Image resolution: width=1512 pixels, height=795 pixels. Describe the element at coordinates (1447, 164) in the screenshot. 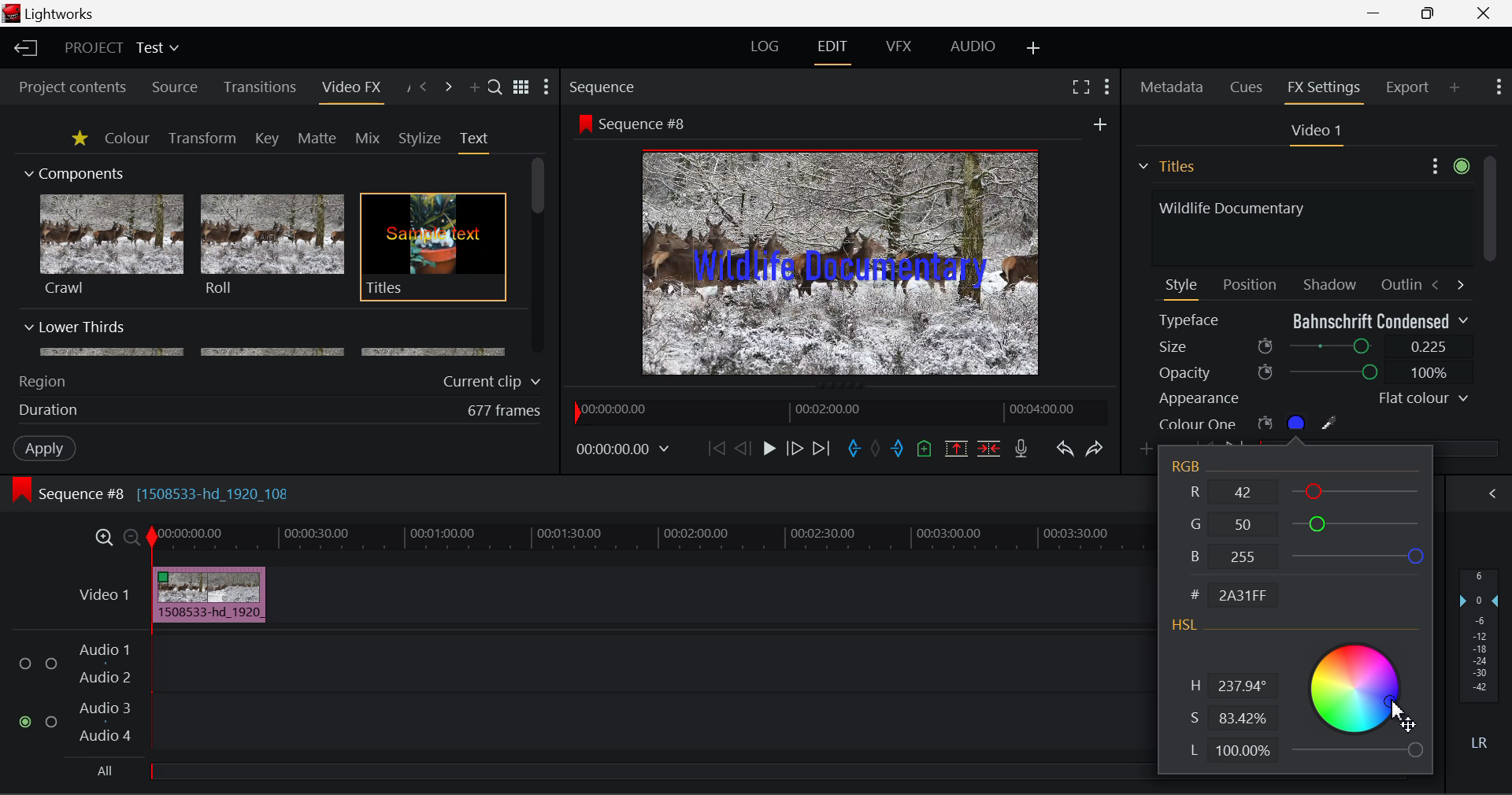

I see `Settings` at that location.